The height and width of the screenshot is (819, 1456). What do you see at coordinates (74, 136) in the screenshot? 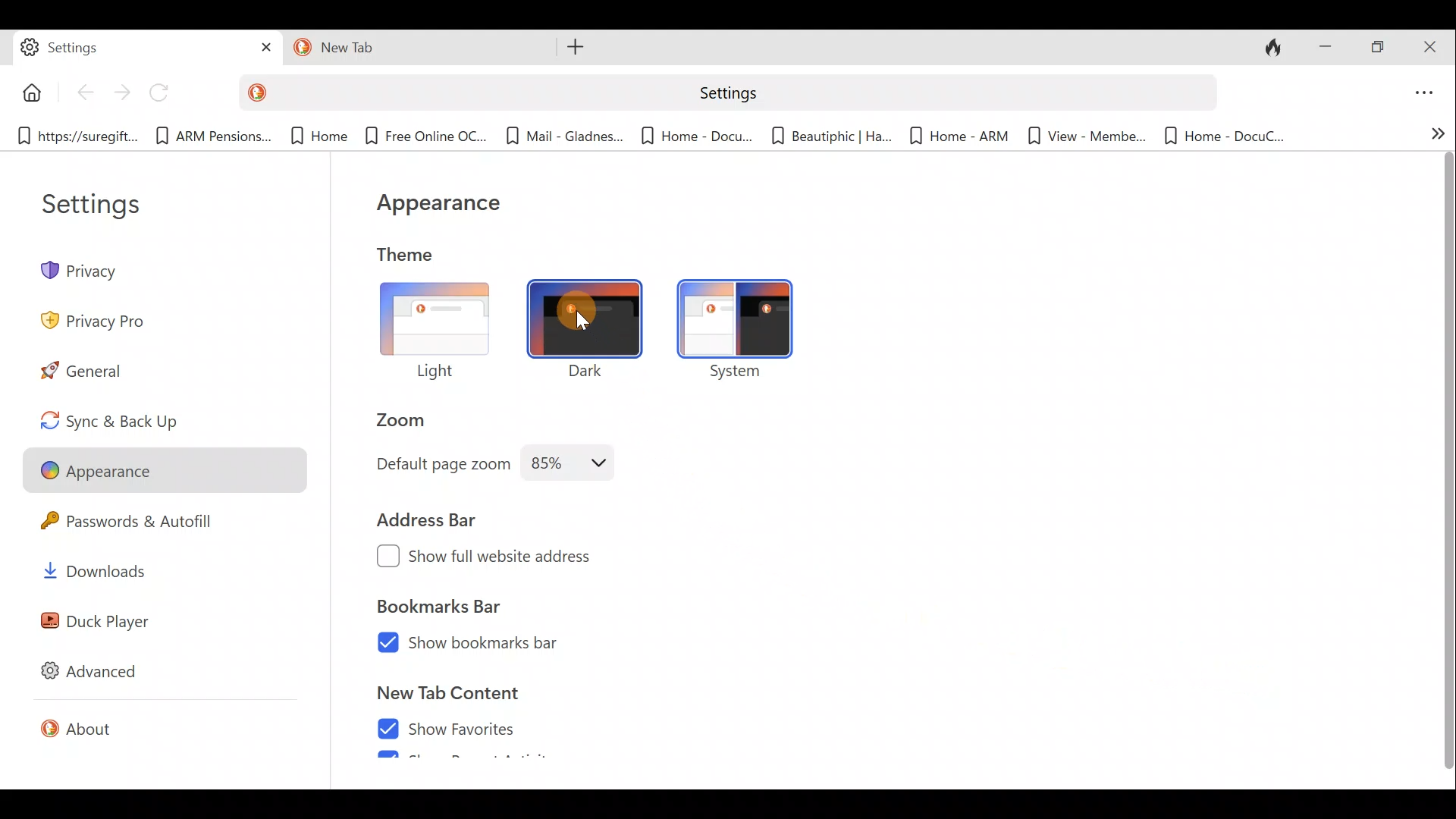
I see `Bookmark 1` at bounding box center [74, 136].